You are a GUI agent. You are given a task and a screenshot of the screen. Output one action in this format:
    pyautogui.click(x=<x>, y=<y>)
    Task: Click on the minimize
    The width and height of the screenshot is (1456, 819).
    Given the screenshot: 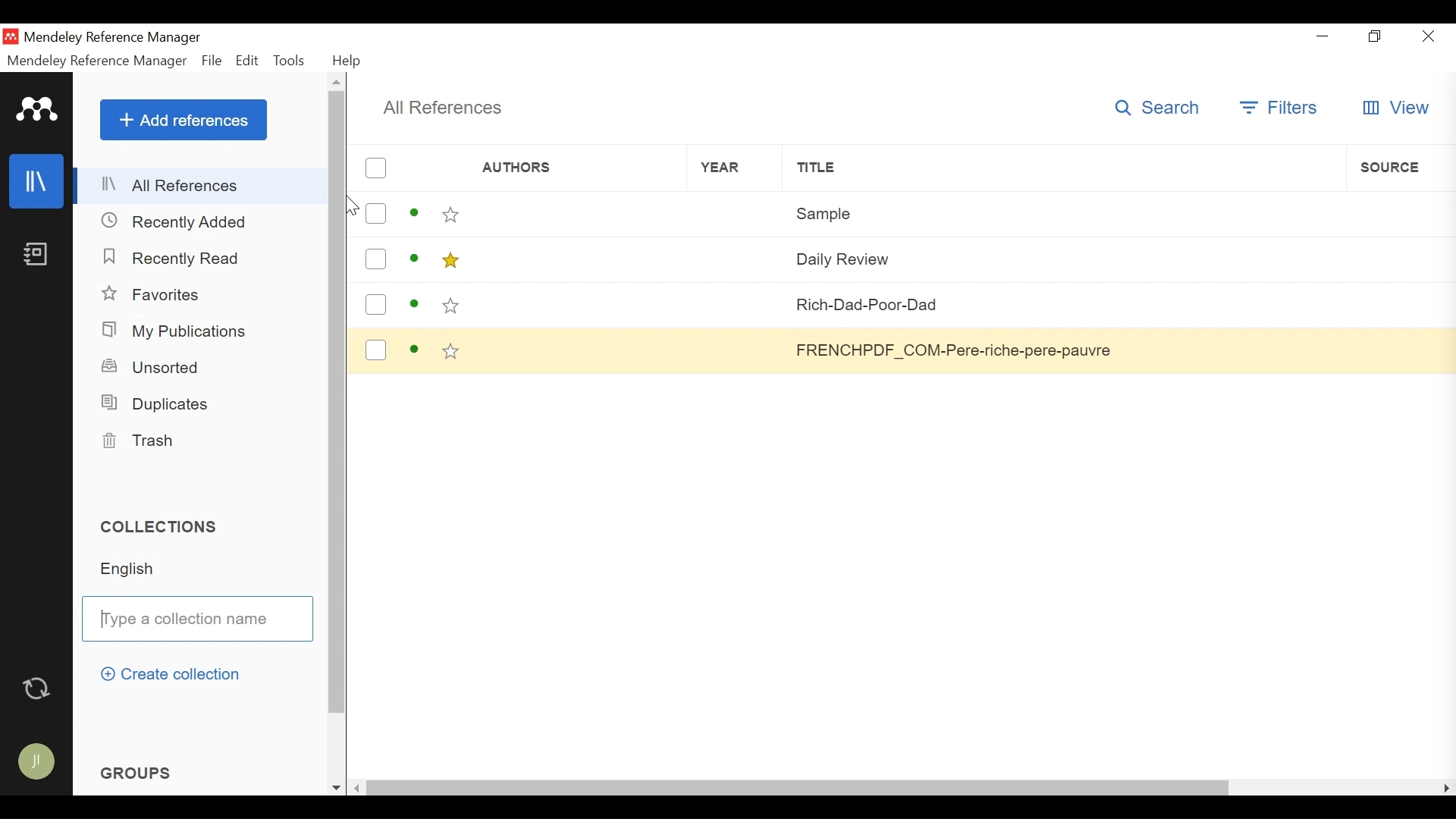 What is the action you would take?
    pyautogui.click(x=1326, y=36)
    